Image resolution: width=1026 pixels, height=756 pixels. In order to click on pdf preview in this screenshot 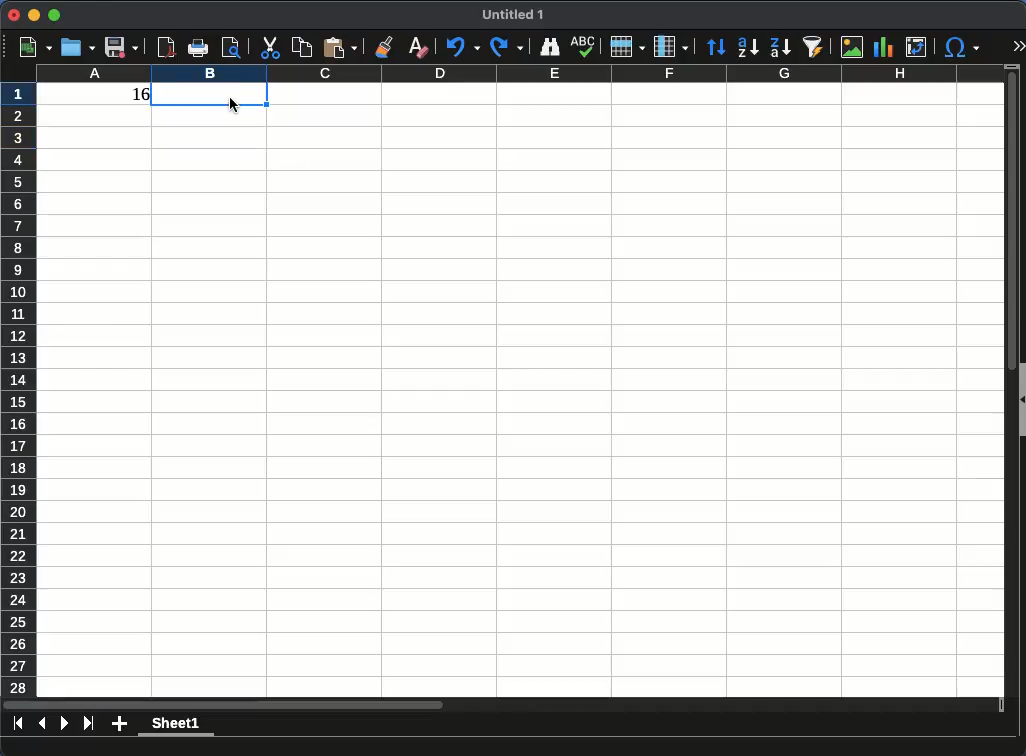, I will do `click(167, 47)`.